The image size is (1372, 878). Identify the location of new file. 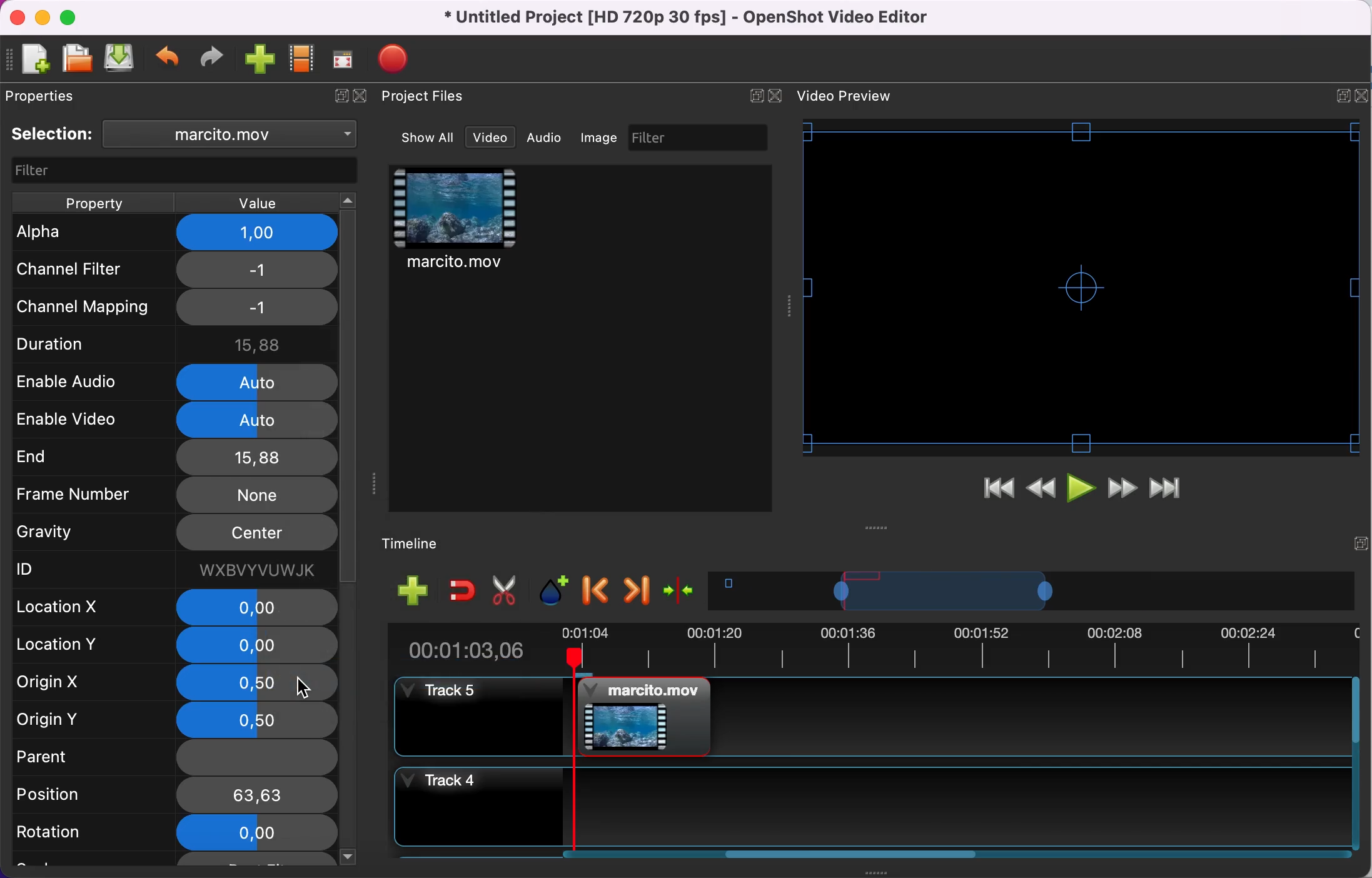
(30, 61).